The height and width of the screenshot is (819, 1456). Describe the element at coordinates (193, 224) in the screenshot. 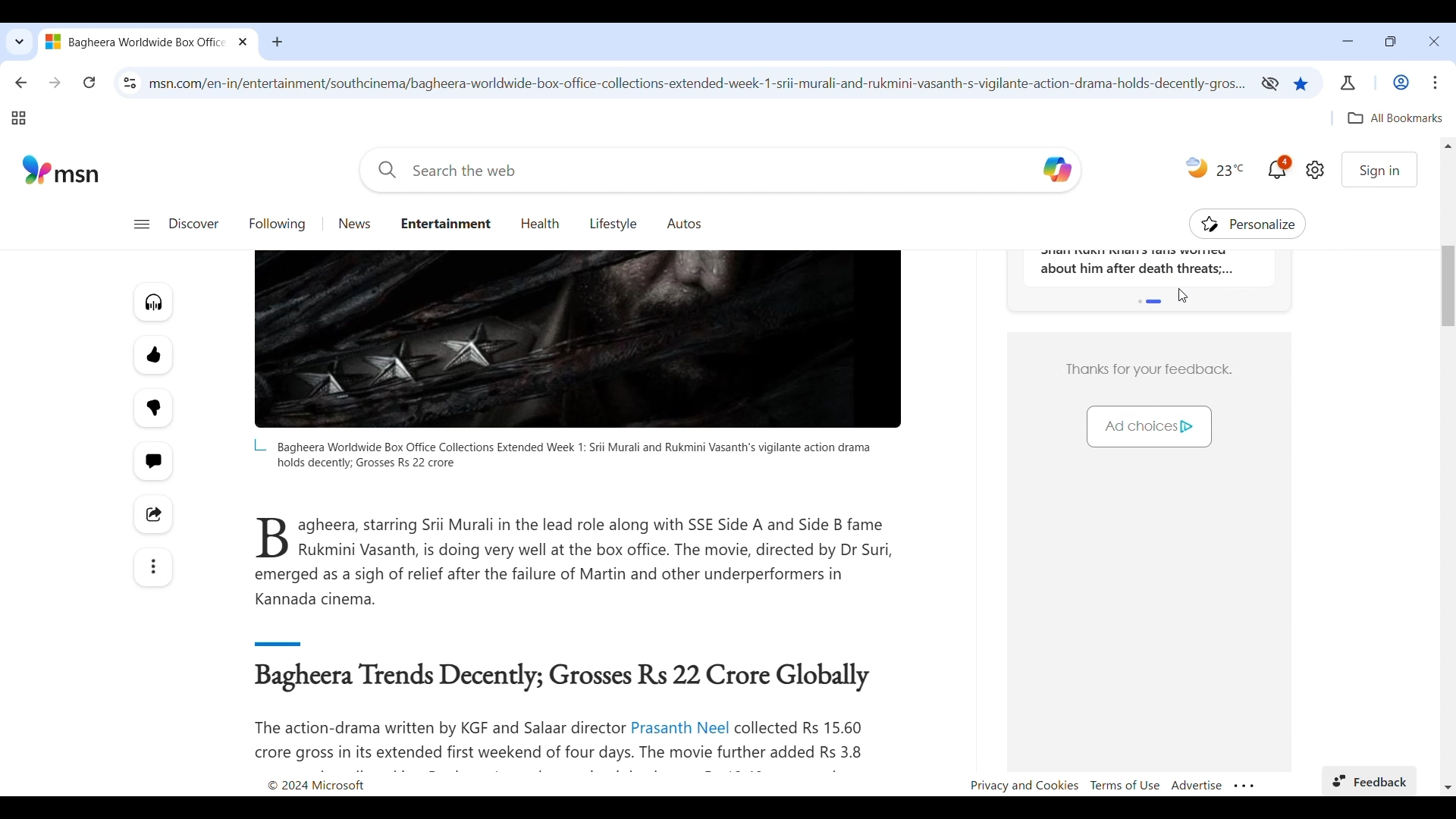

I see `Go to discover page` at that location.